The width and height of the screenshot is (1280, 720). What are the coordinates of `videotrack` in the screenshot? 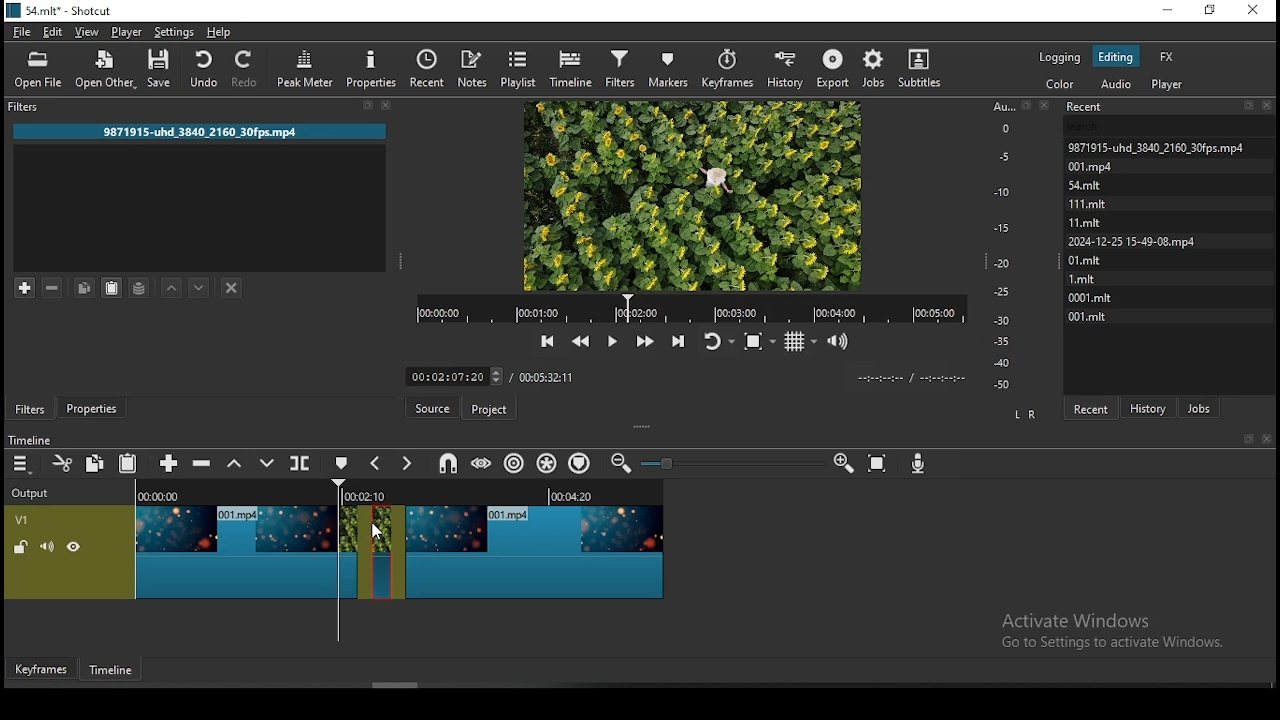 It's located at (535, 549).